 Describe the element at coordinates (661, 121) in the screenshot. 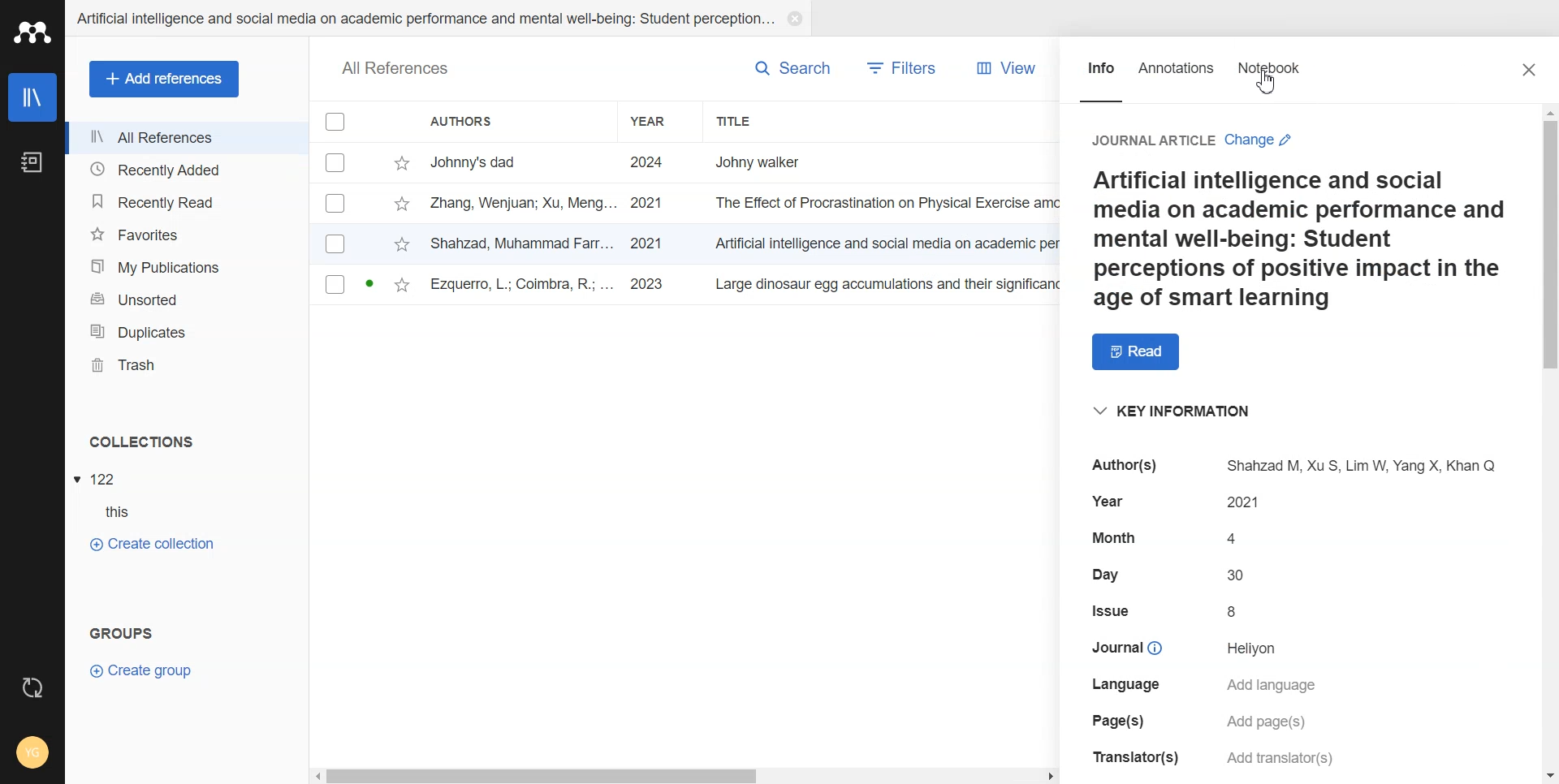

I see `Year` at that location.